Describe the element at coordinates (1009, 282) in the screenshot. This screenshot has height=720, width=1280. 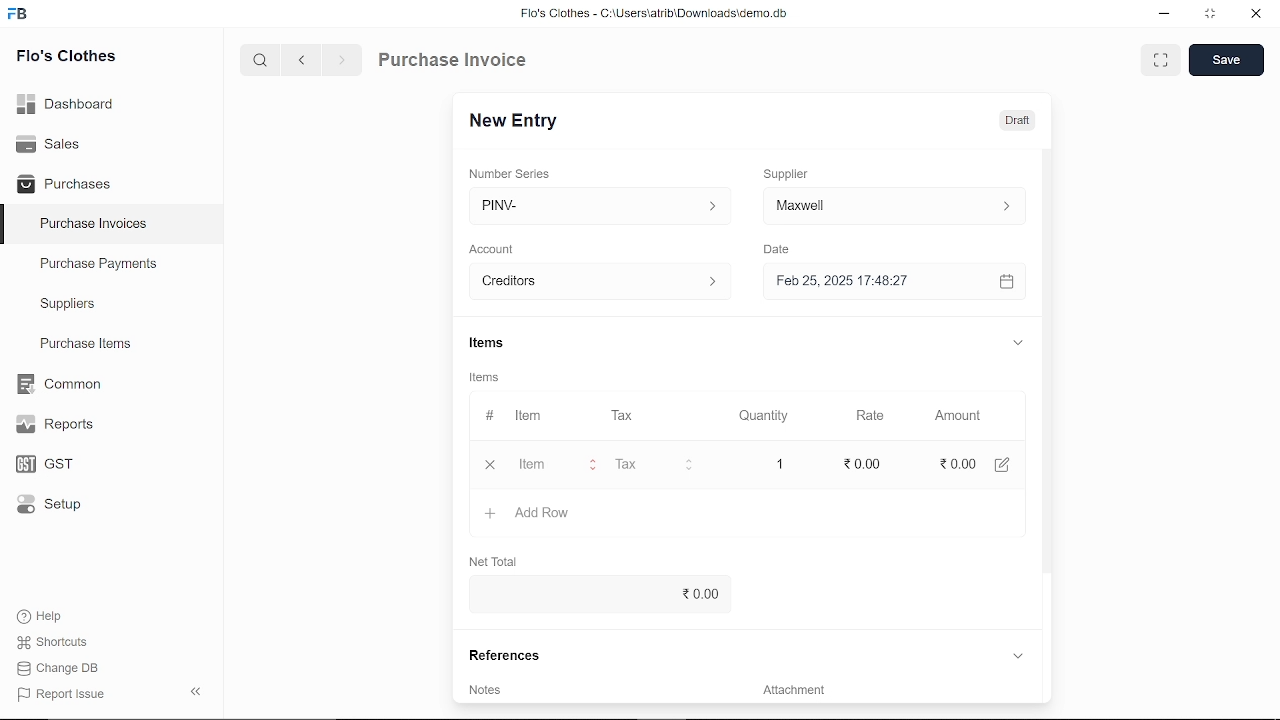
I see `calender` at that location.